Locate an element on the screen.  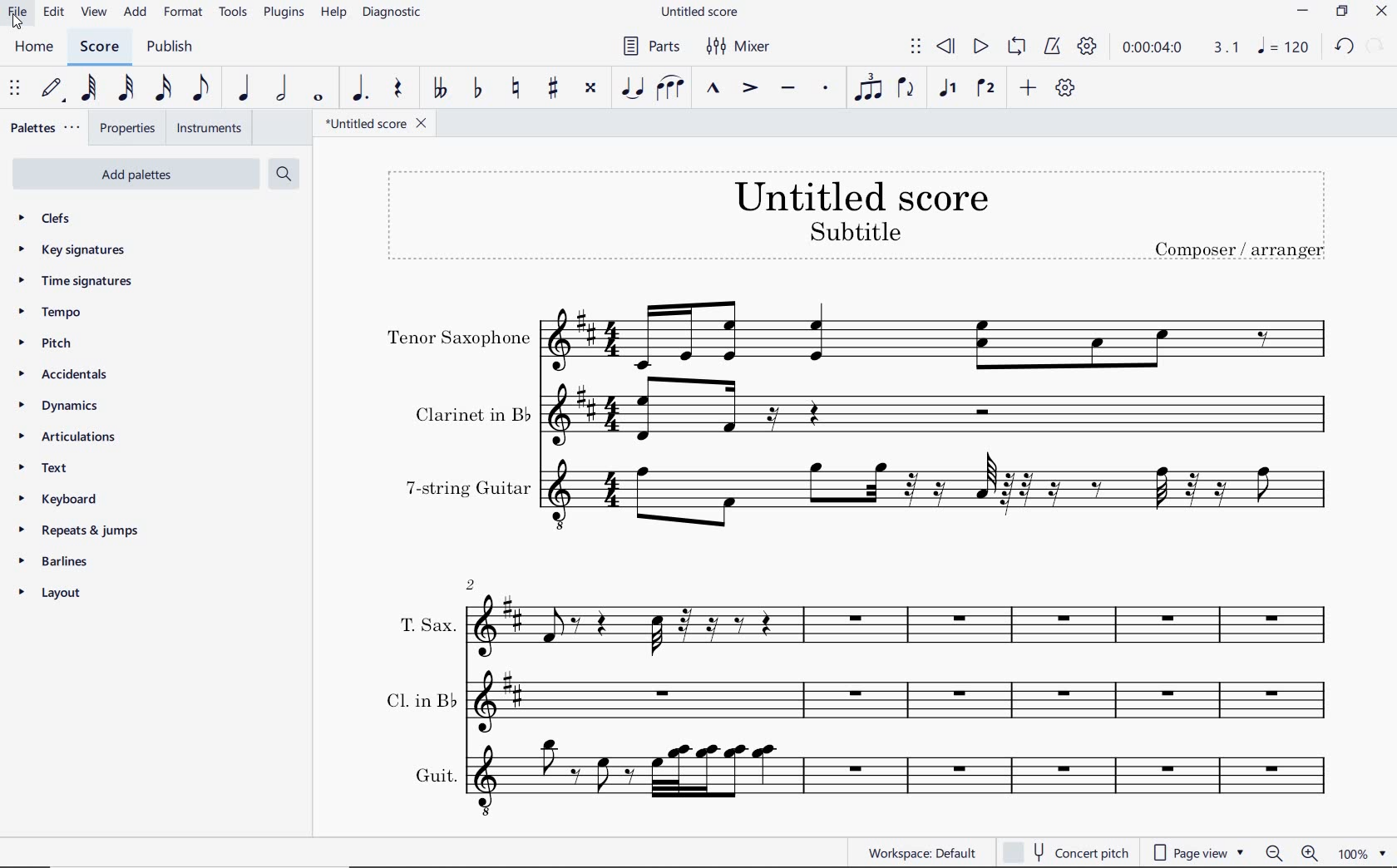
PUBLISH is located at coordinates (175, 47).